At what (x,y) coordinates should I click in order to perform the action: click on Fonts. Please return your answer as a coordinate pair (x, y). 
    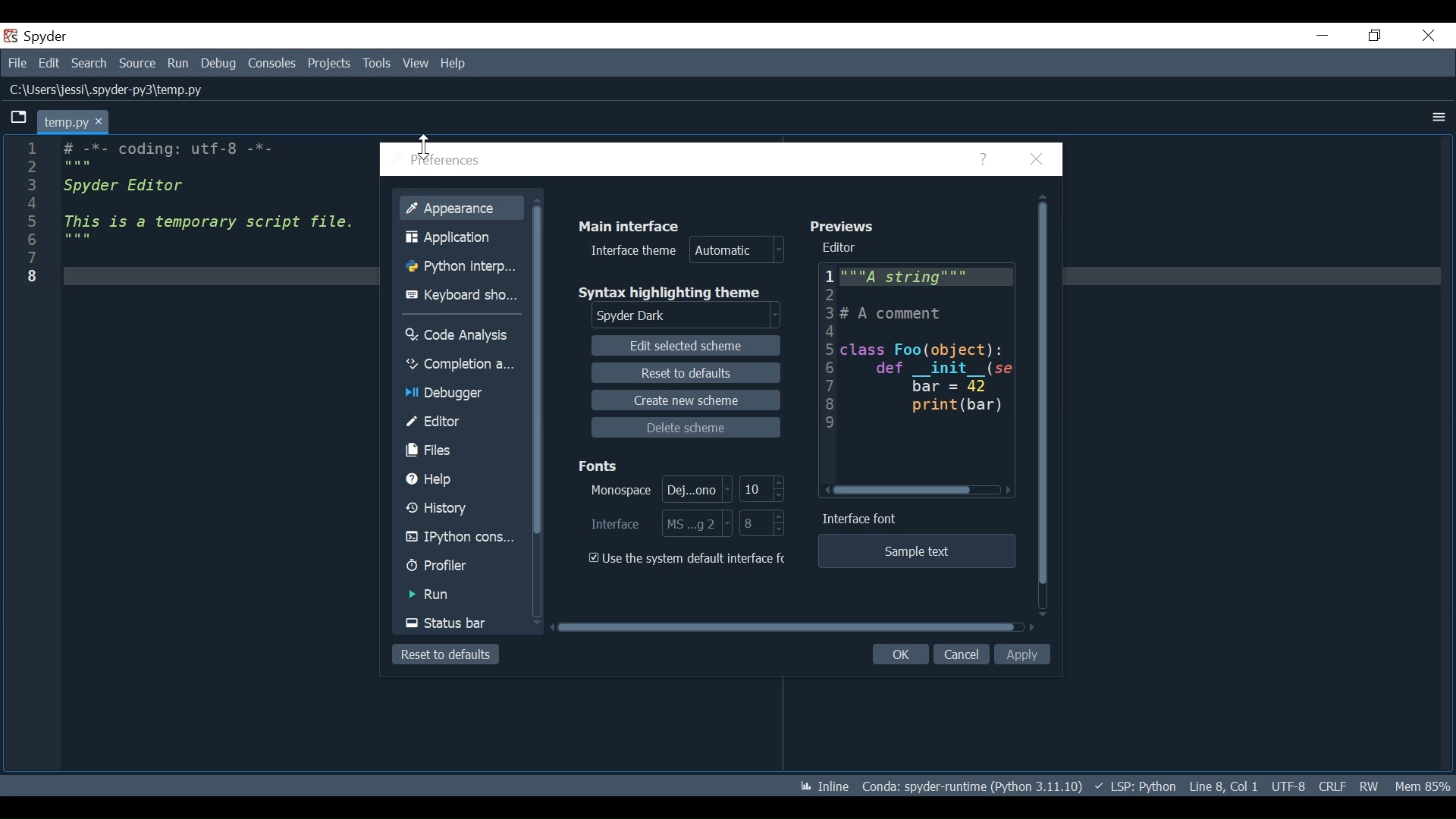
    Looking at the image, I should click on (599, 466).